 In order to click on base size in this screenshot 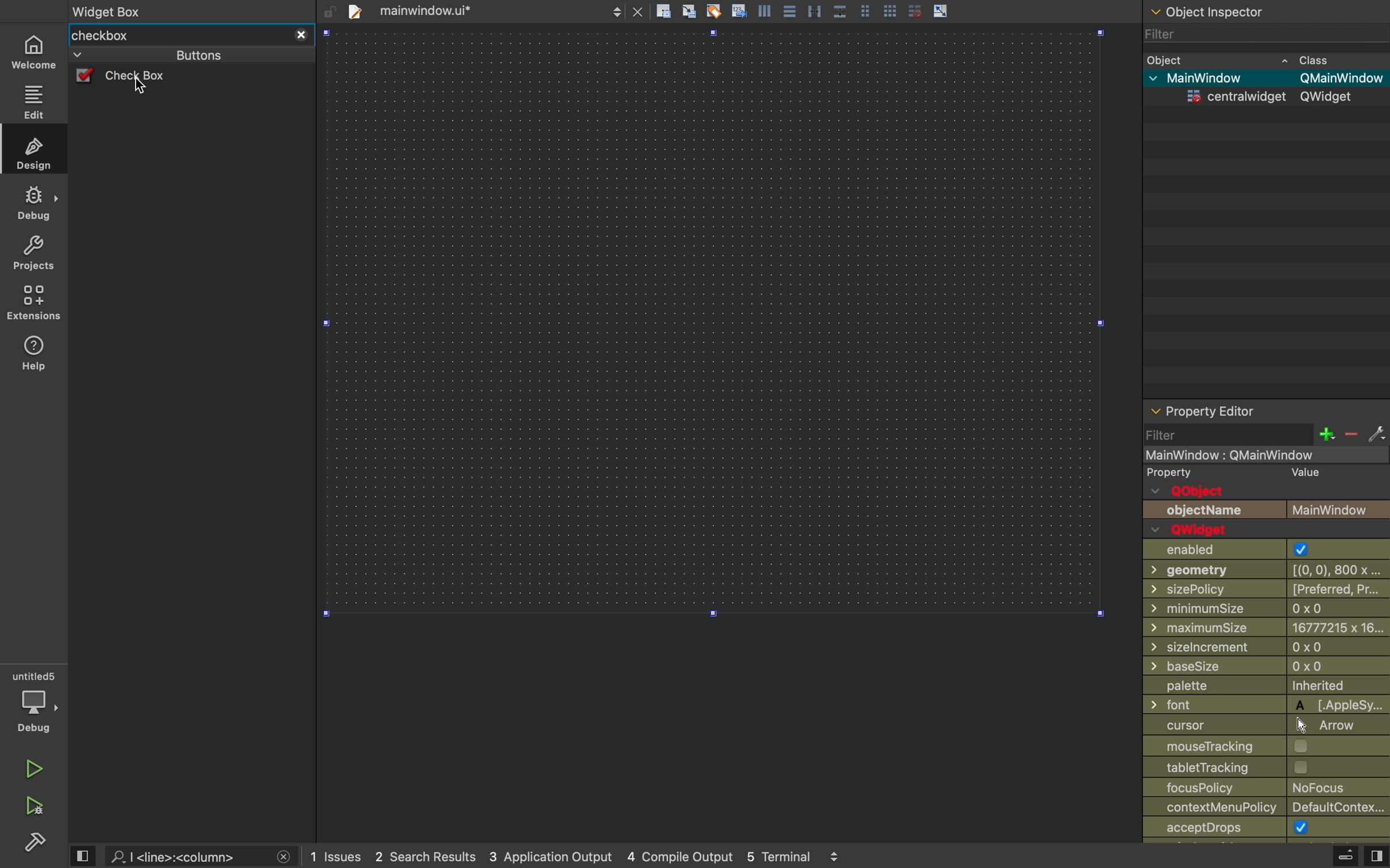, I will do `click(1268, 668)`.